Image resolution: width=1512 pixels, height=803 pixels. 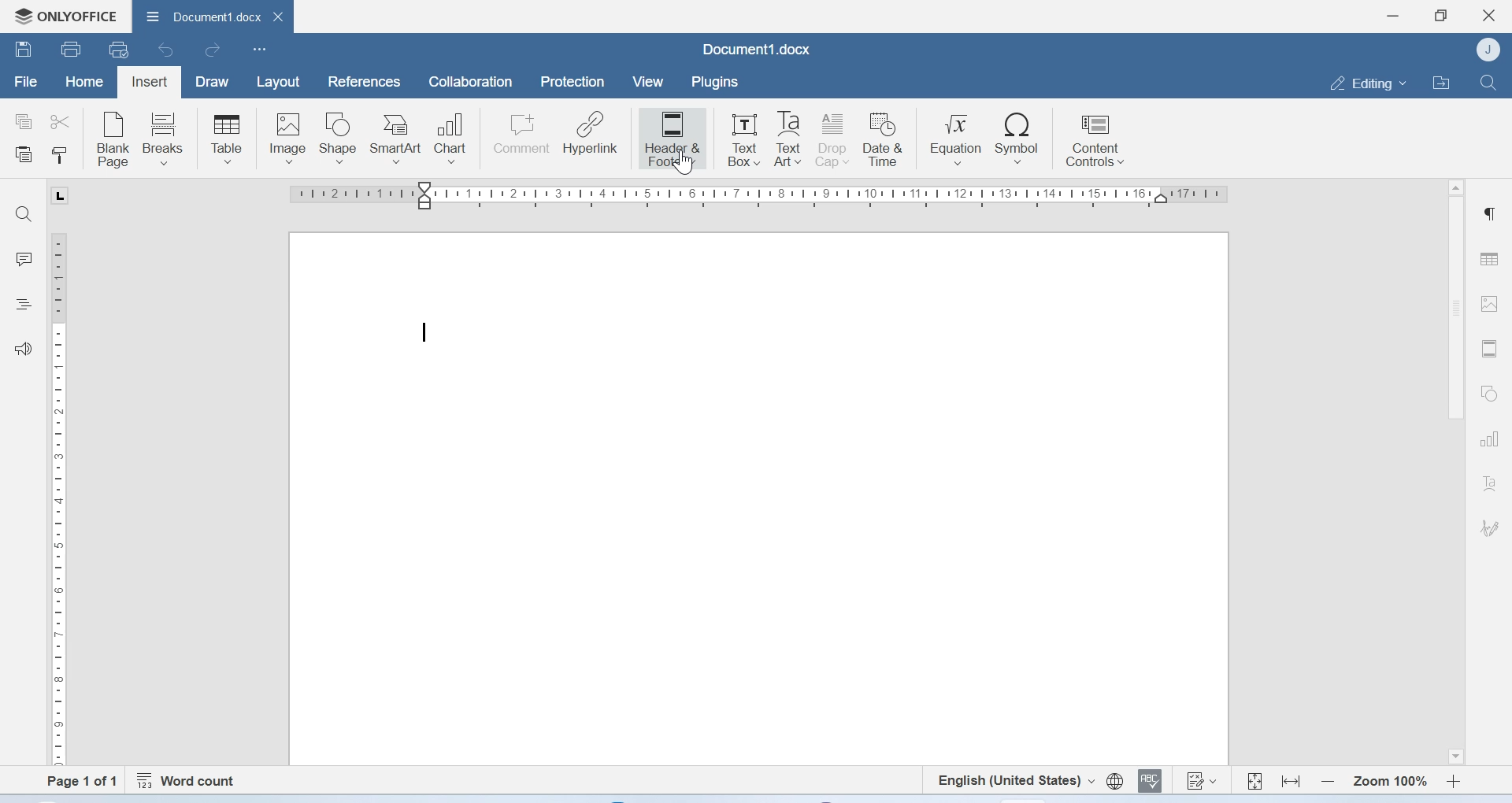 I want to click on Page 1 of 1, so click(x=74, y=781).